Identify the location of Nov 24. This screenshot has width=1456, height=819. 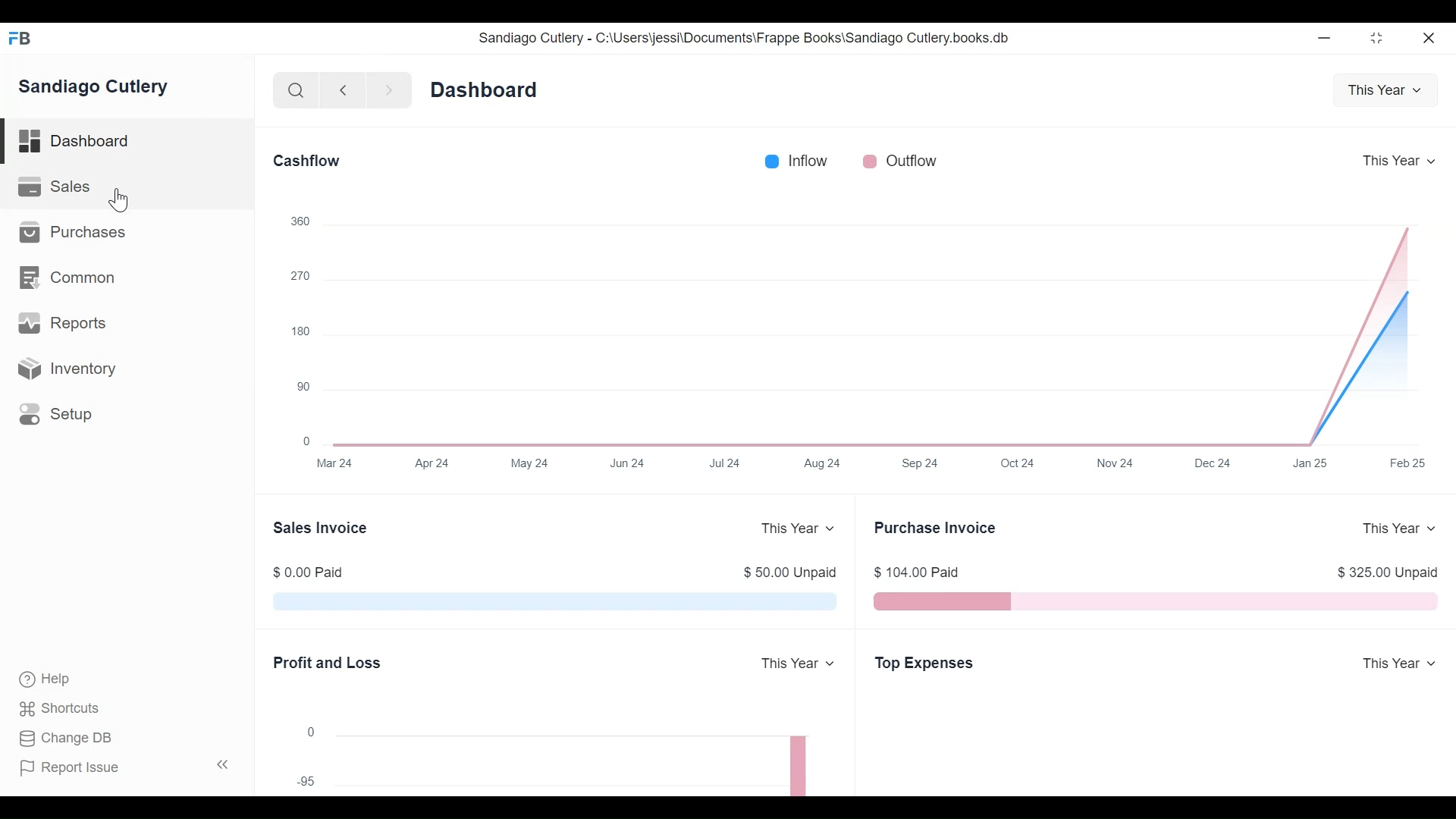
(1112, 463).